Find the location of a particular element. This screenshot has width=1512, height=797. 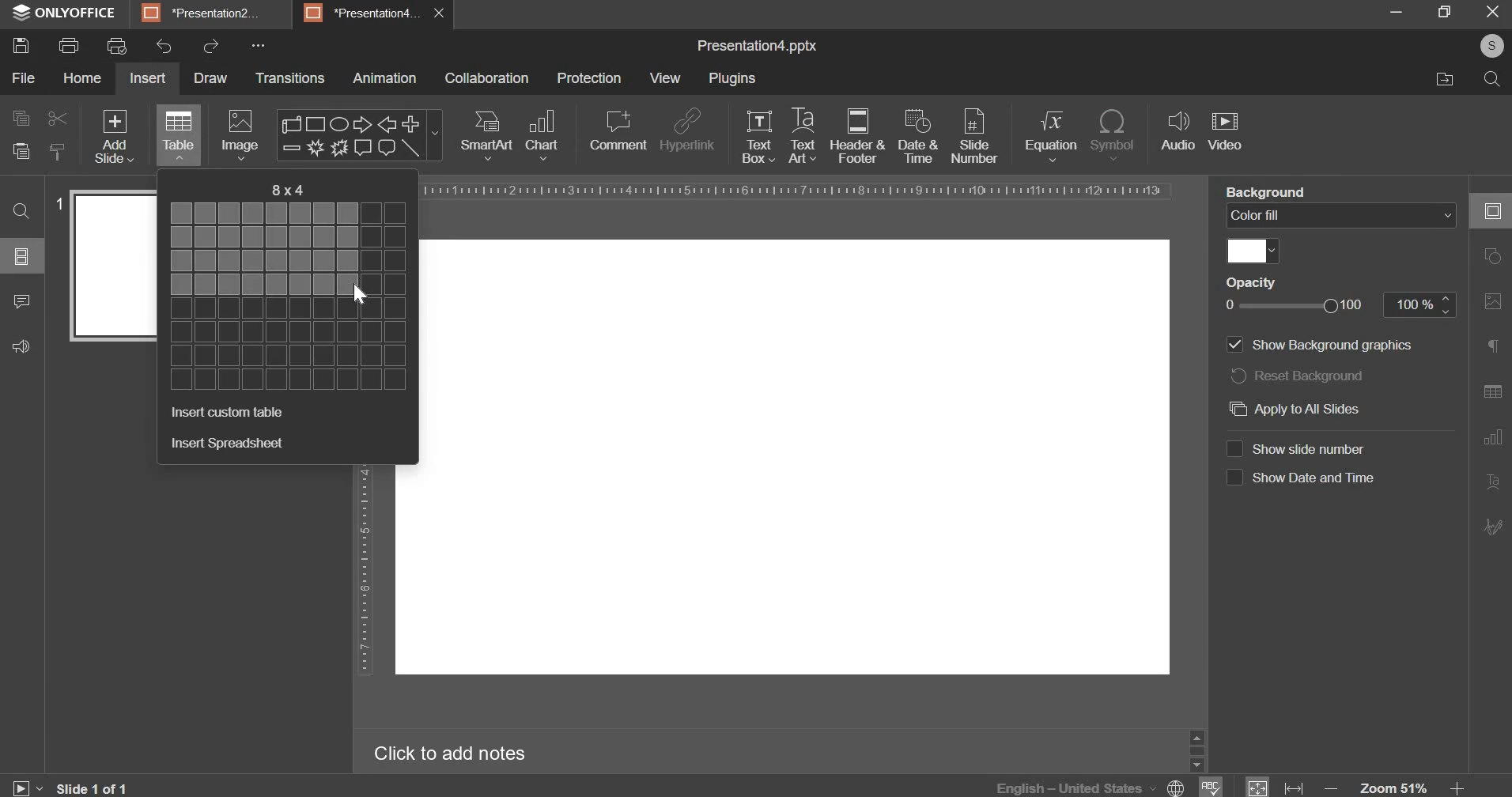

set text language is located at coordinates (1075, 787).